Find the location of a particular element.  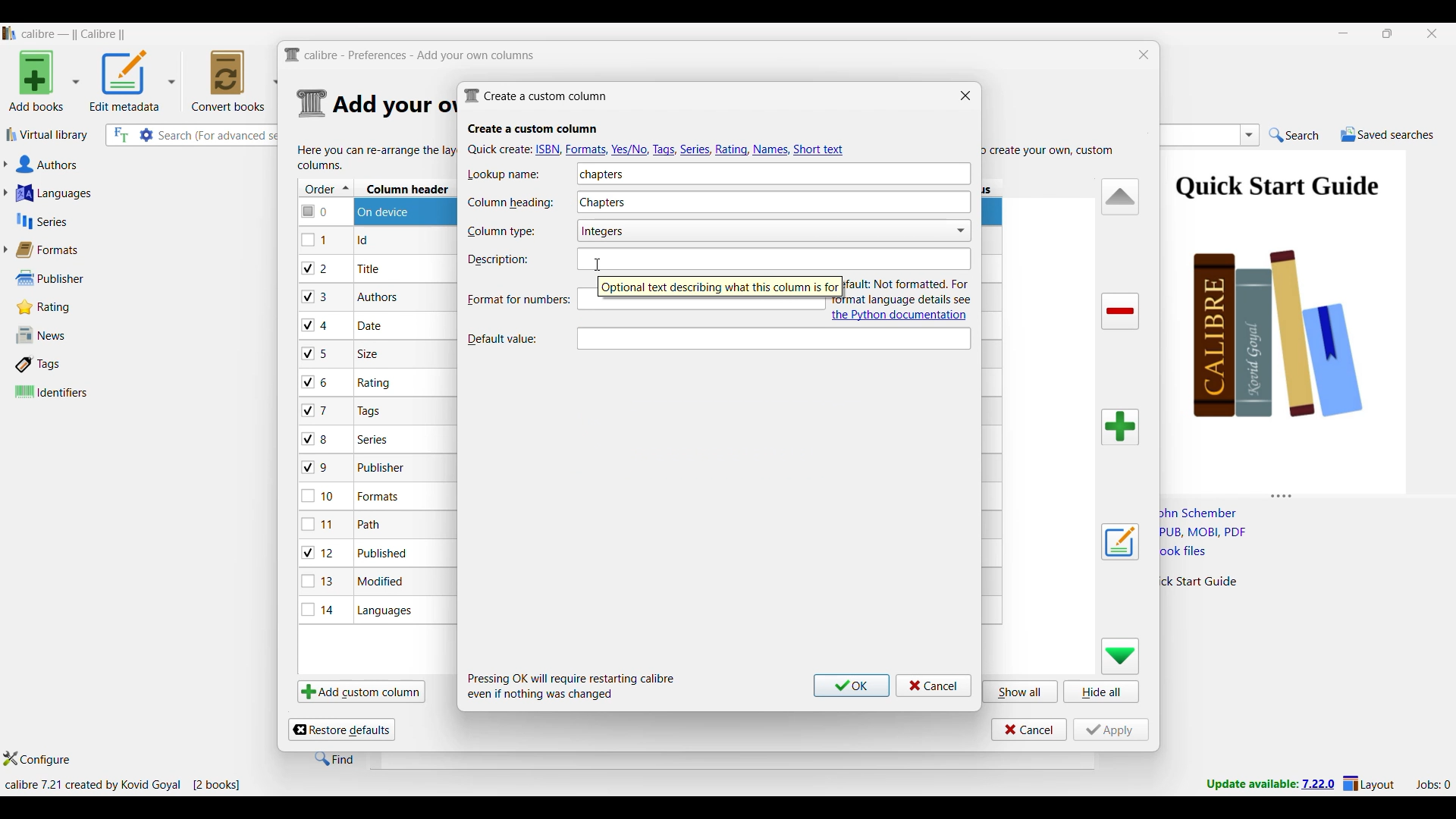

Saved searches is located at coordinates (1387, 134).